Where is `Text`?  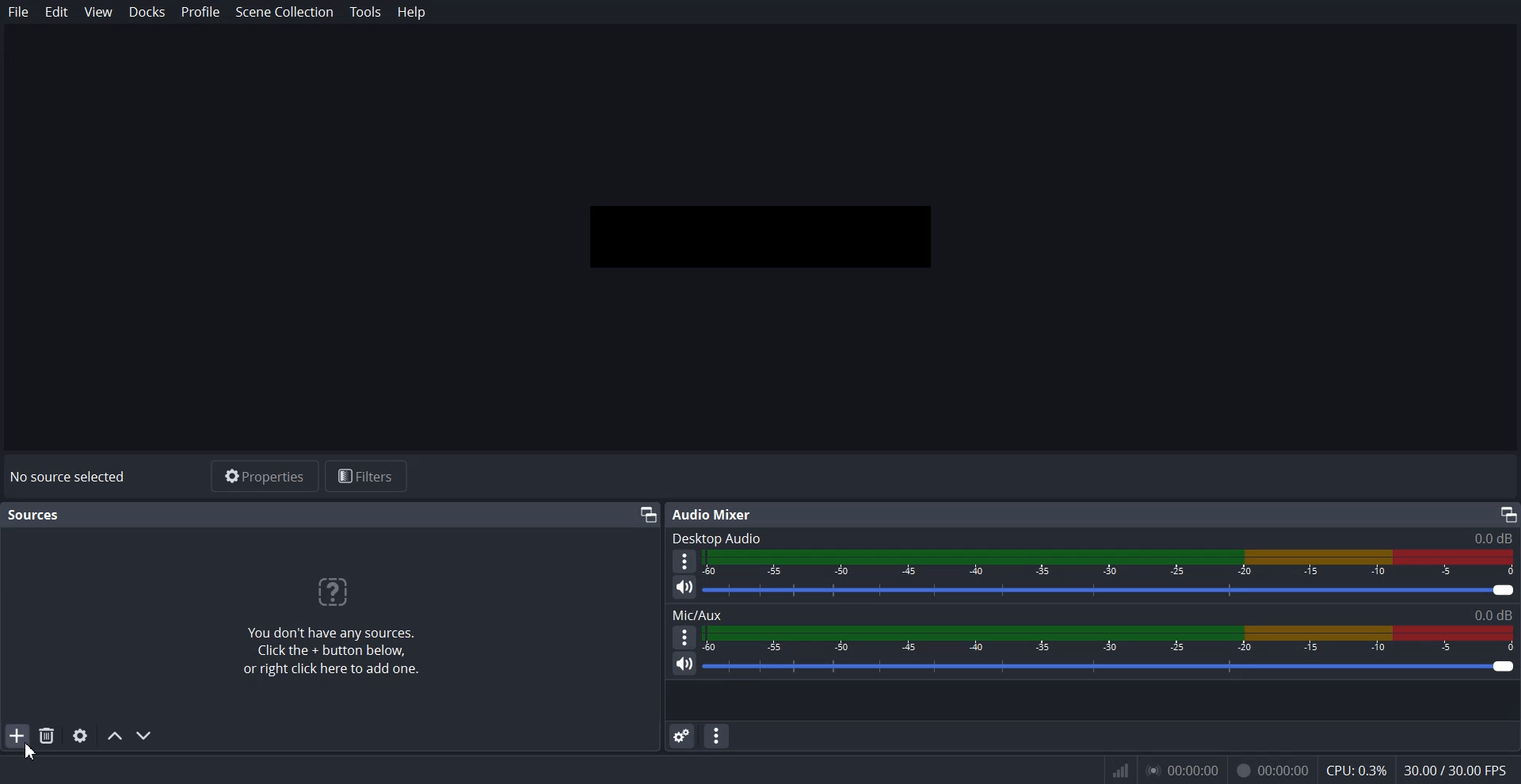
Text is located at coordinates (67, 476).